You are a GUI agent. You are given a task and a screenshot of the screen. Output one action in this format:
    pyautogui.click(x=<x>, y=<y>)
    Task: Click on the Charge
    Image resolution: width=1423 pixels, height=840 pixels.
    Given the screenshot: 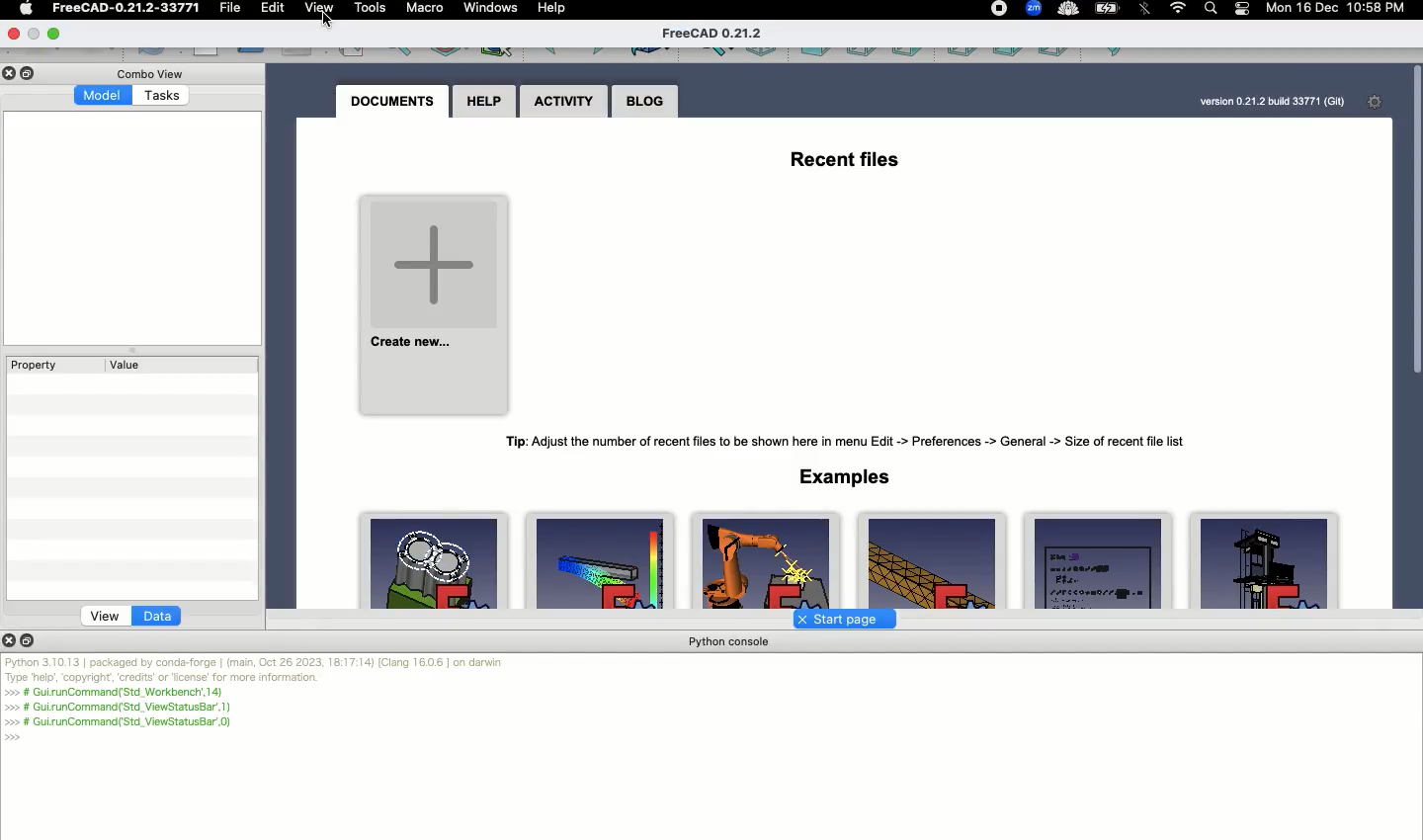 What is the action you would take?
    pyautogui.click(x=1108, y=9)
    